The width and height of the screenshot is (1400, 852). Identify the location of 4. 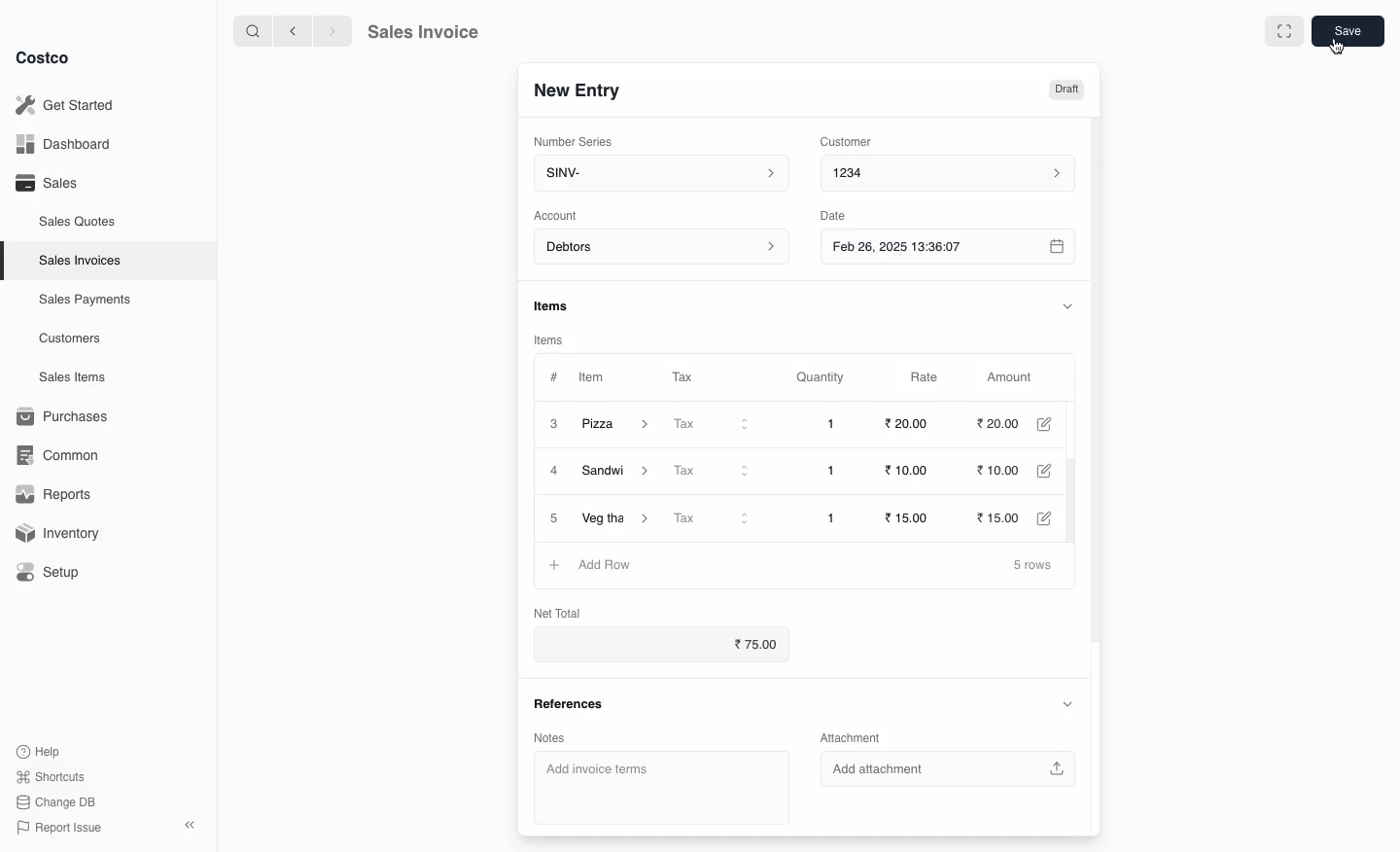
(555, 472).